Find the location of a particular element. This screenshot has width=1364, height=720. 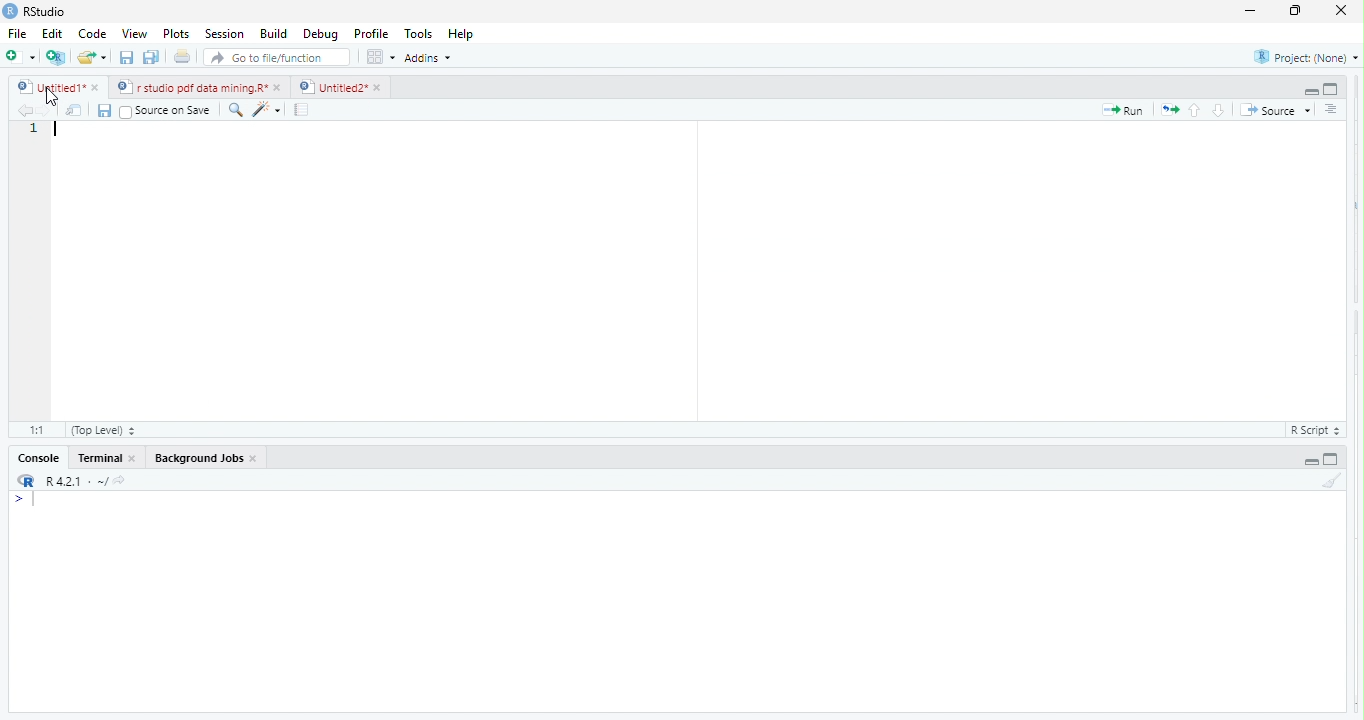

(top Level) is located at coordinates (104, 430).